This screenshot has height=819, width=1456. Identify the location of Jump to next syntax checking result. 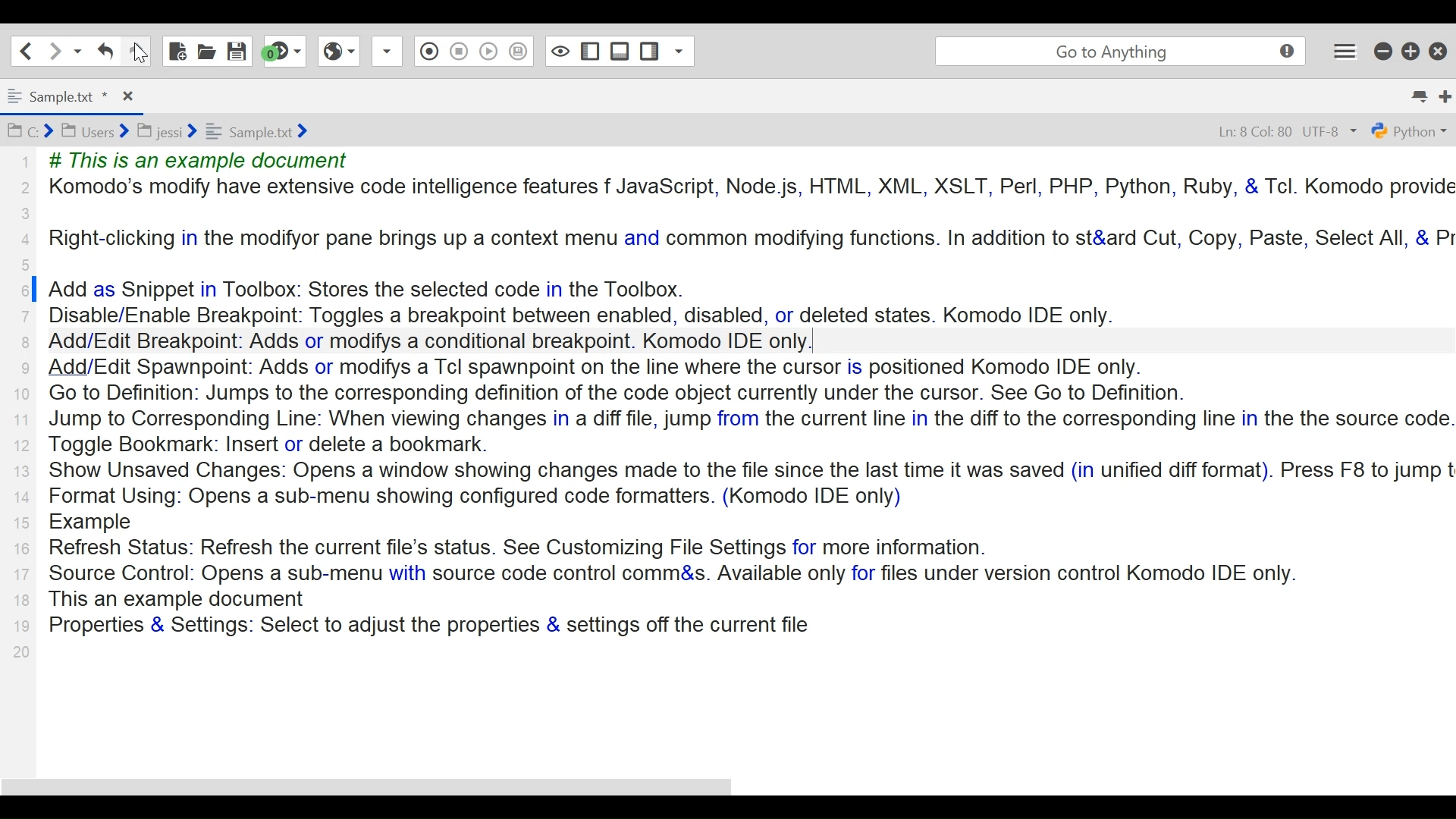
(284, 51).